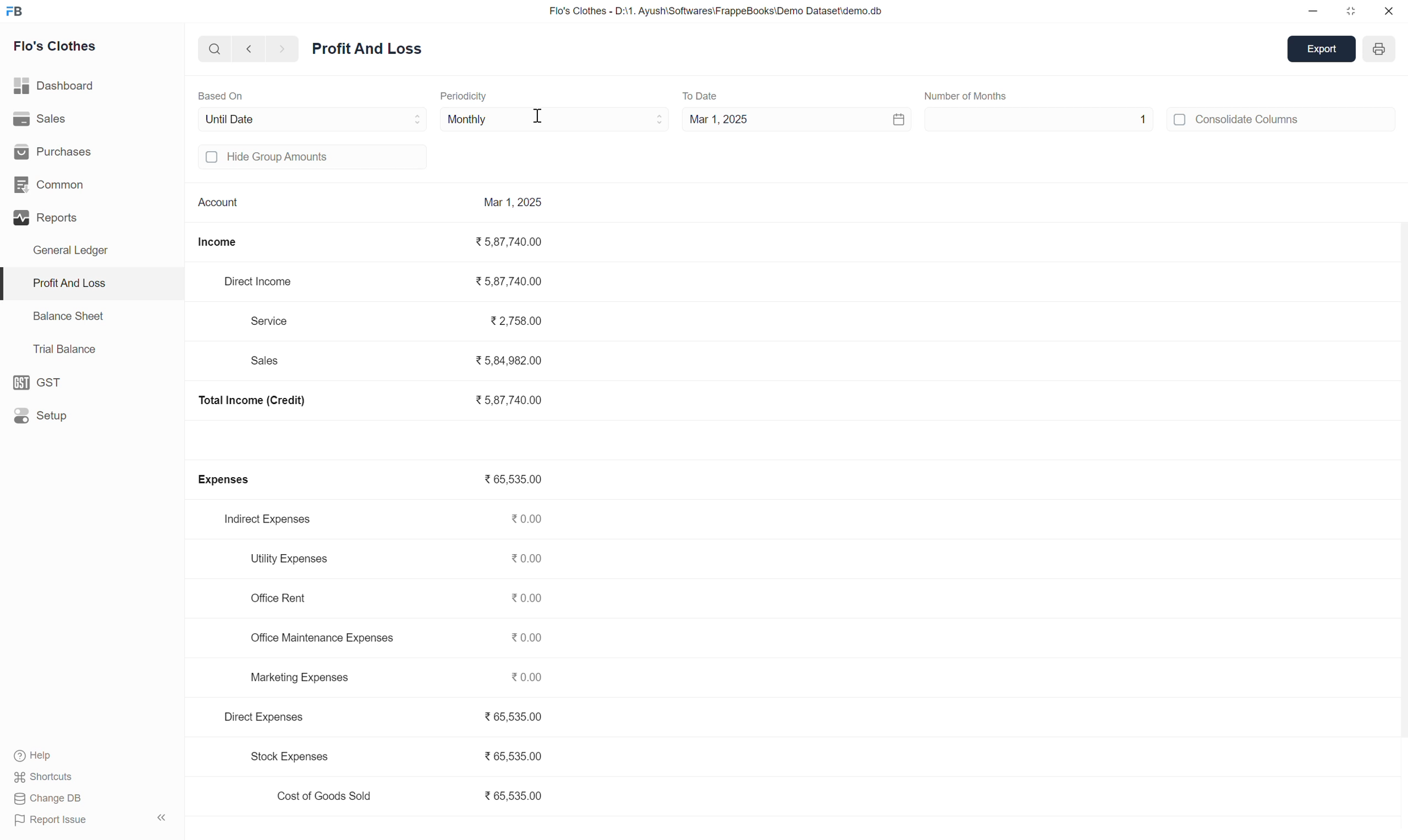 The height and width of the screenshot is (840, 1408). Describe the element at coordinates (517, 281) in the screenshot. I see `₹5,87,740.00` at that location.